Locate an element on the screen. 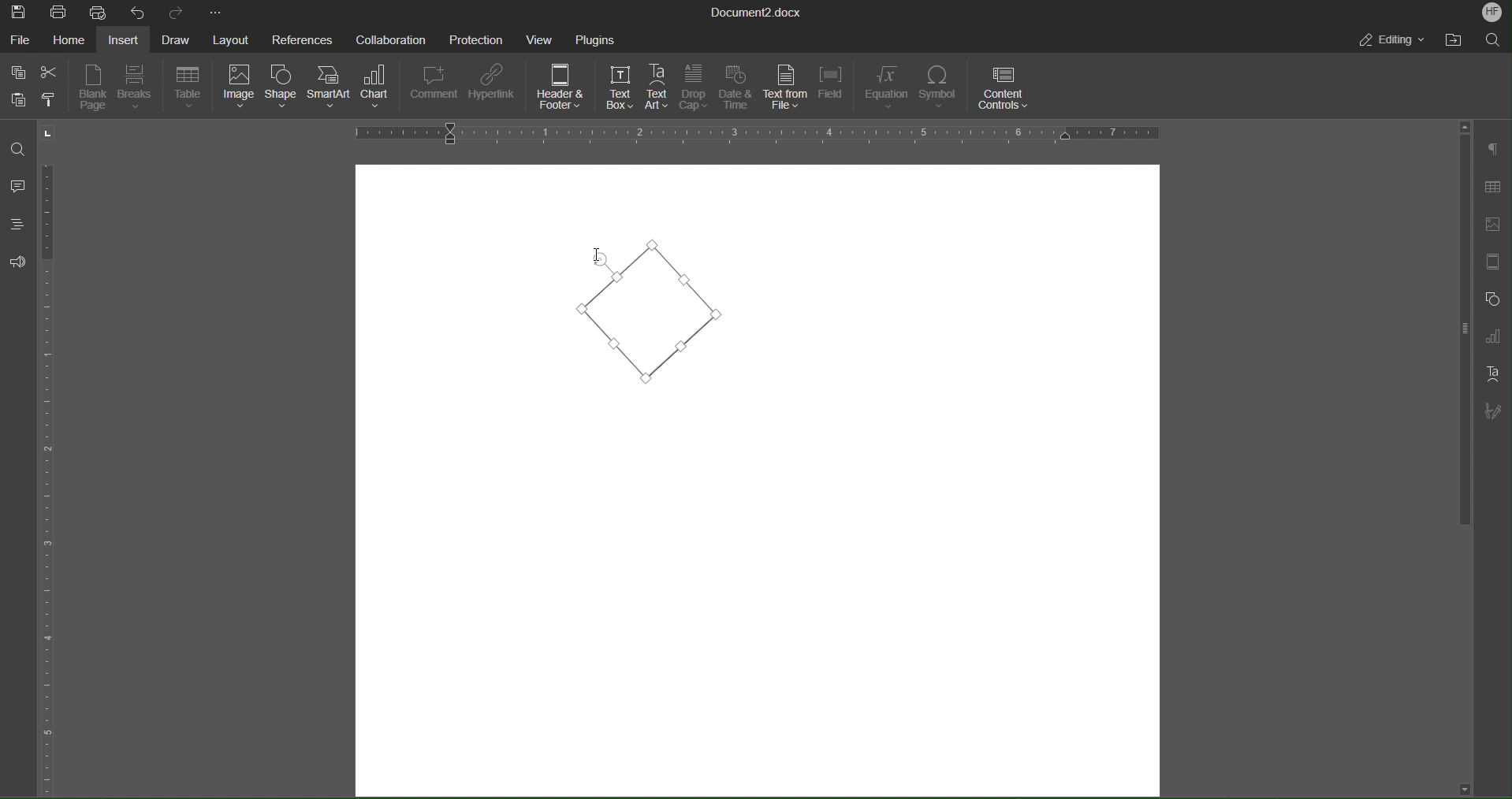  Text Art is located at coordinates (659, 87).